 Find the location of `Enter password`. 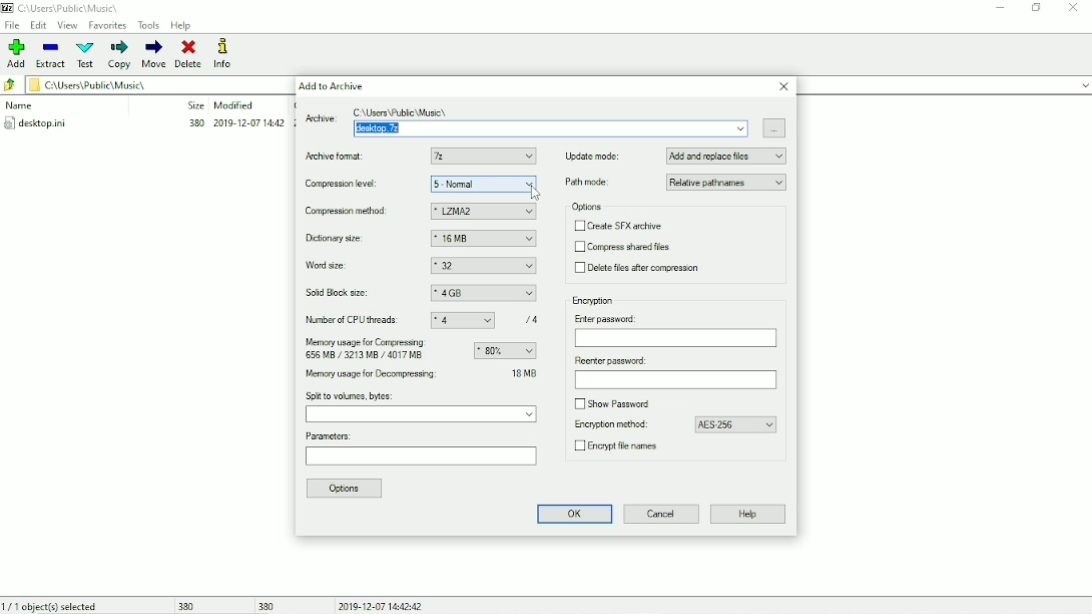

Enter password is located at coordinates (676, 339).